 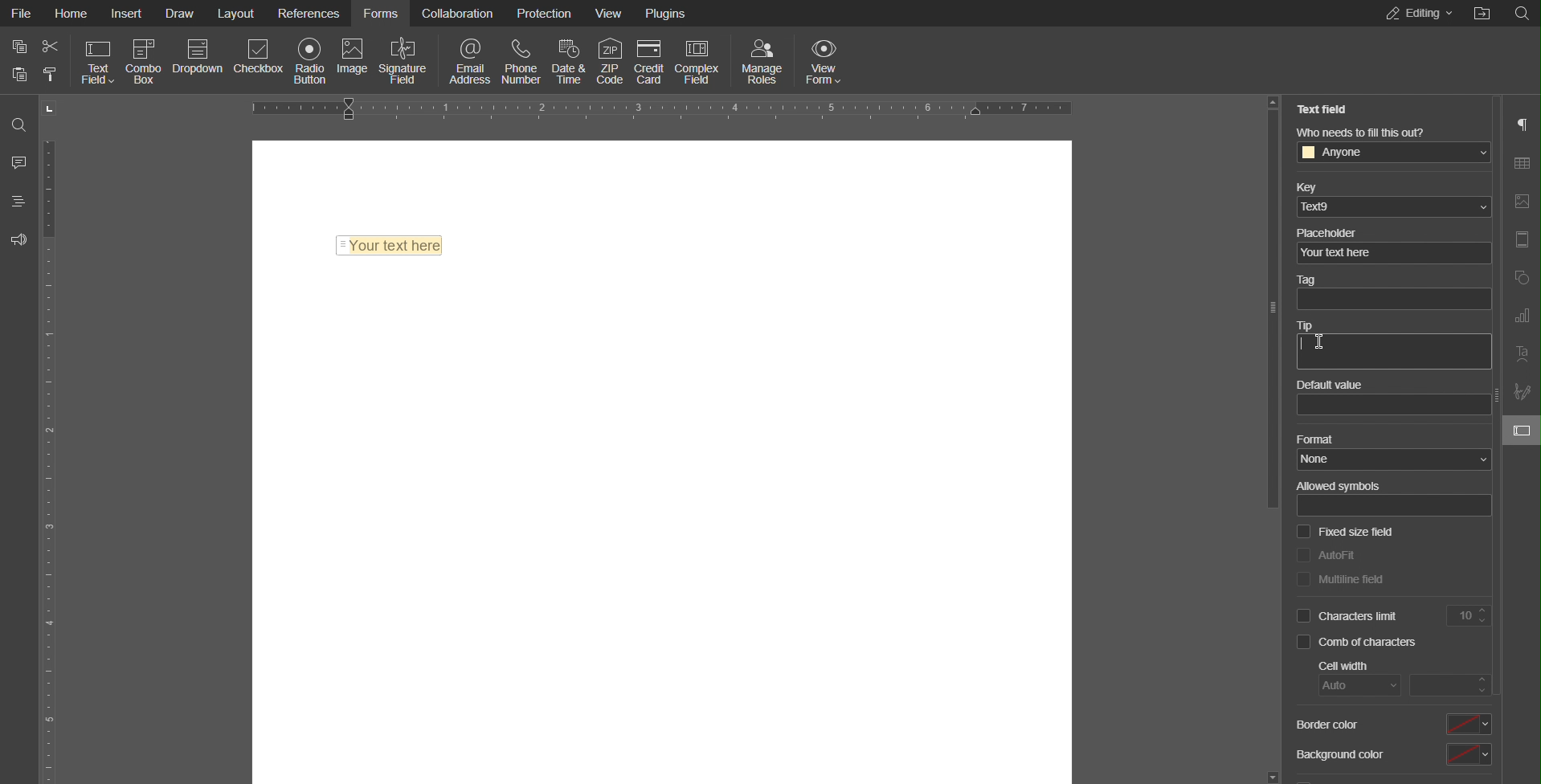 I want to click on Text Field Settings, so click(x=1521, y=430).